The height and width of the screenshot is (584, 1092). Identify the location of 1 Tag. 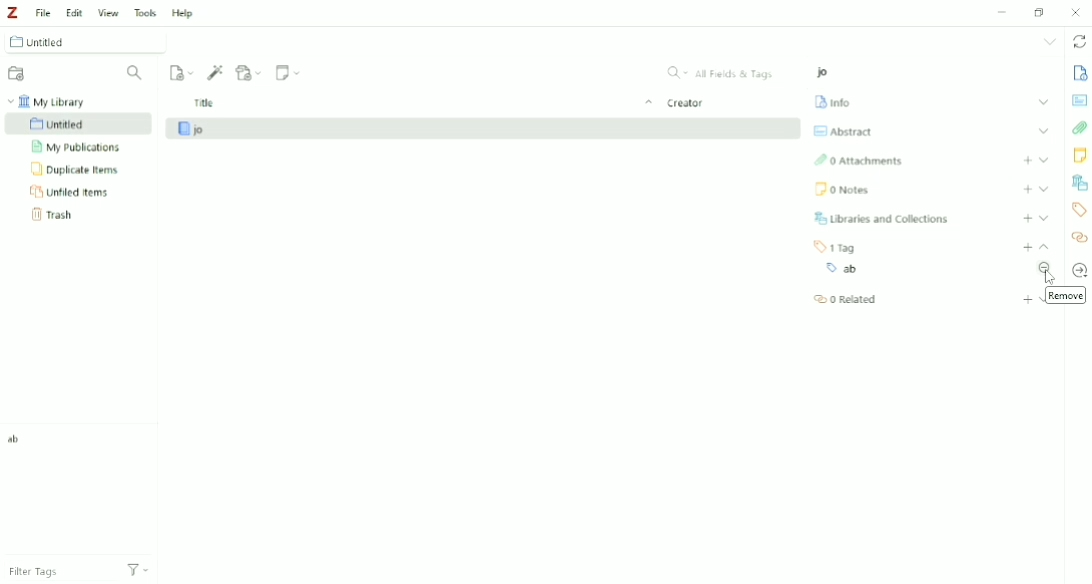
(838, 246).